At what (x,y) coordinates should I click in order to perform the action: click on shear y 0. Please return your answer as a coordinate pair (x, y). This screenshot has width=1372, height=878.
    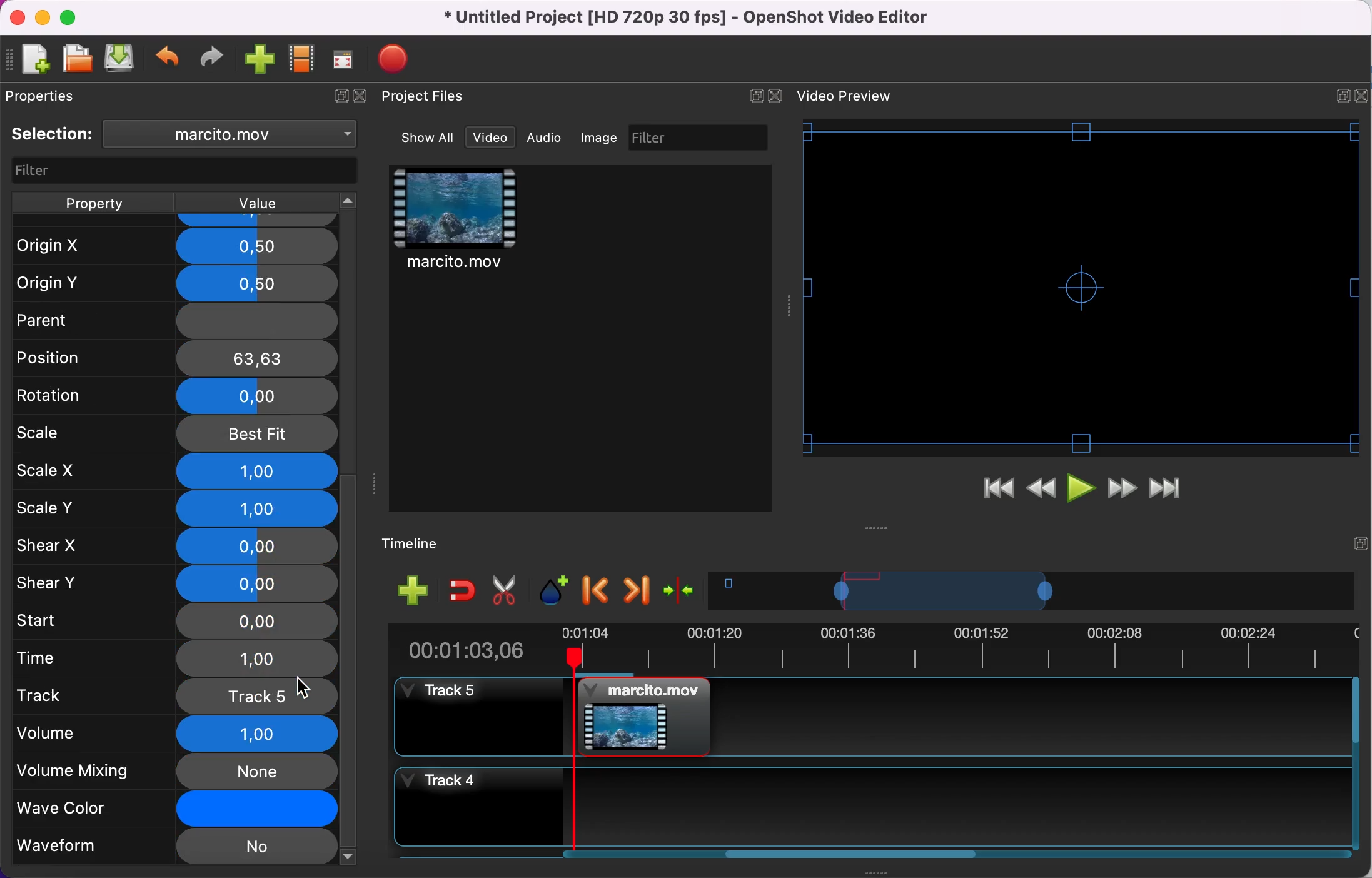
    Looking at the image, I should click on (176, 583).